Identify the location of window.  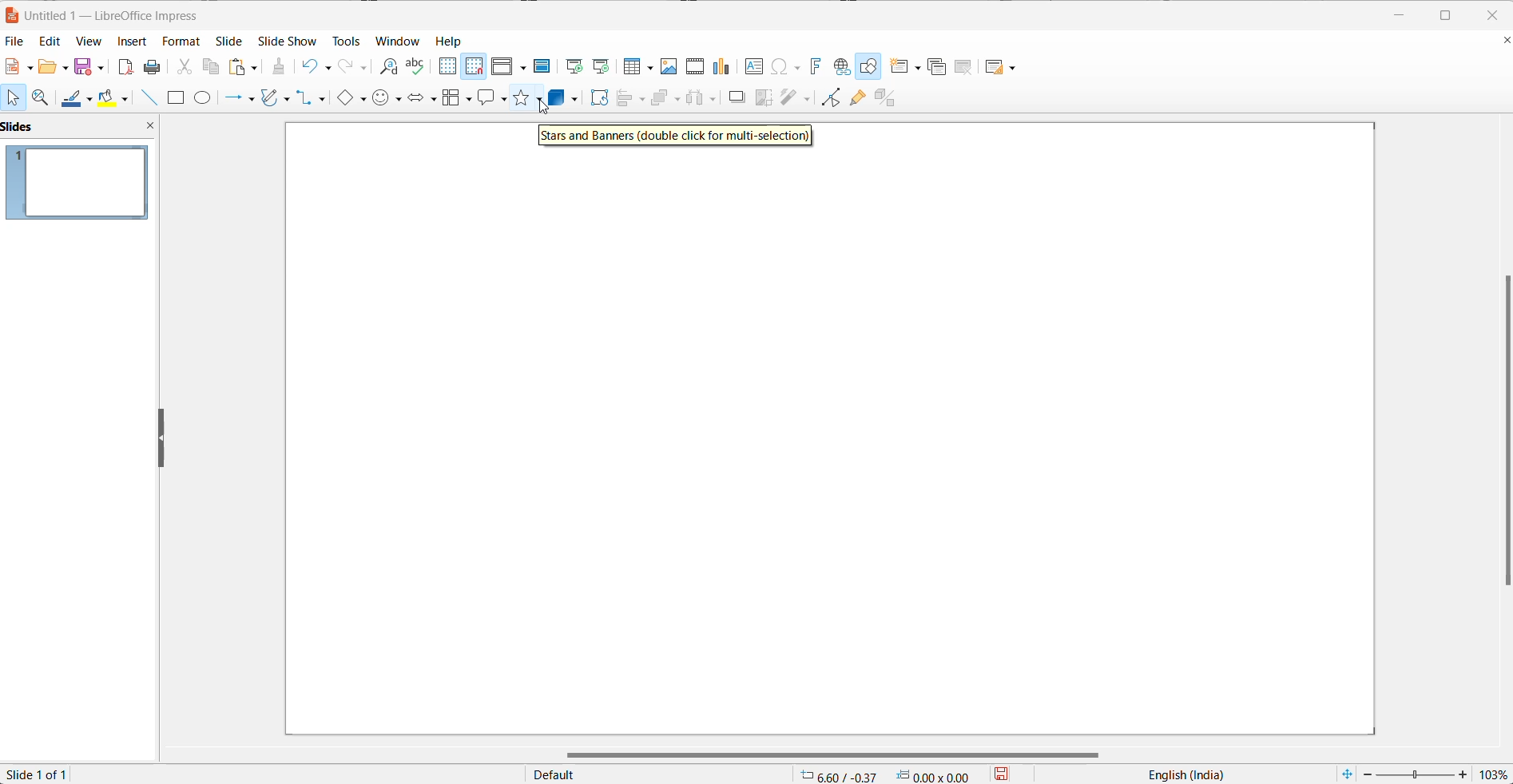
(398, 42).